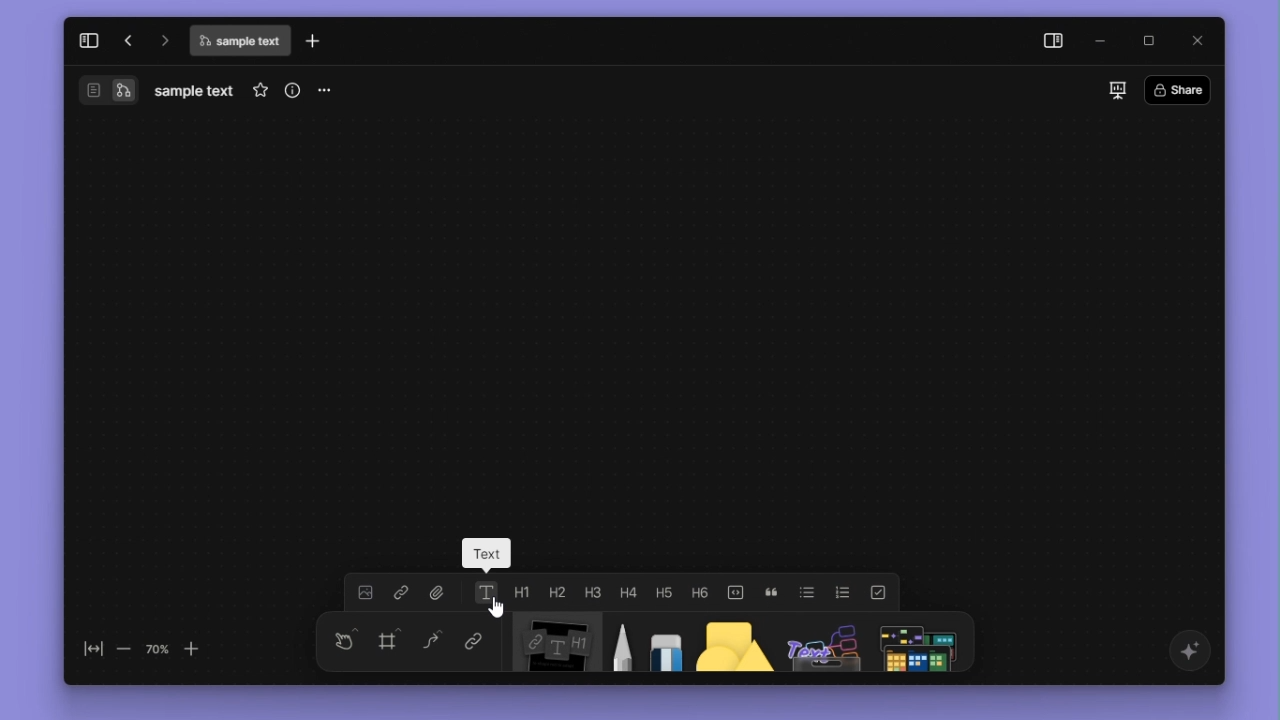  Describe the element at coordinates (126, 40) in the screenshot. I see `go back` at that location.